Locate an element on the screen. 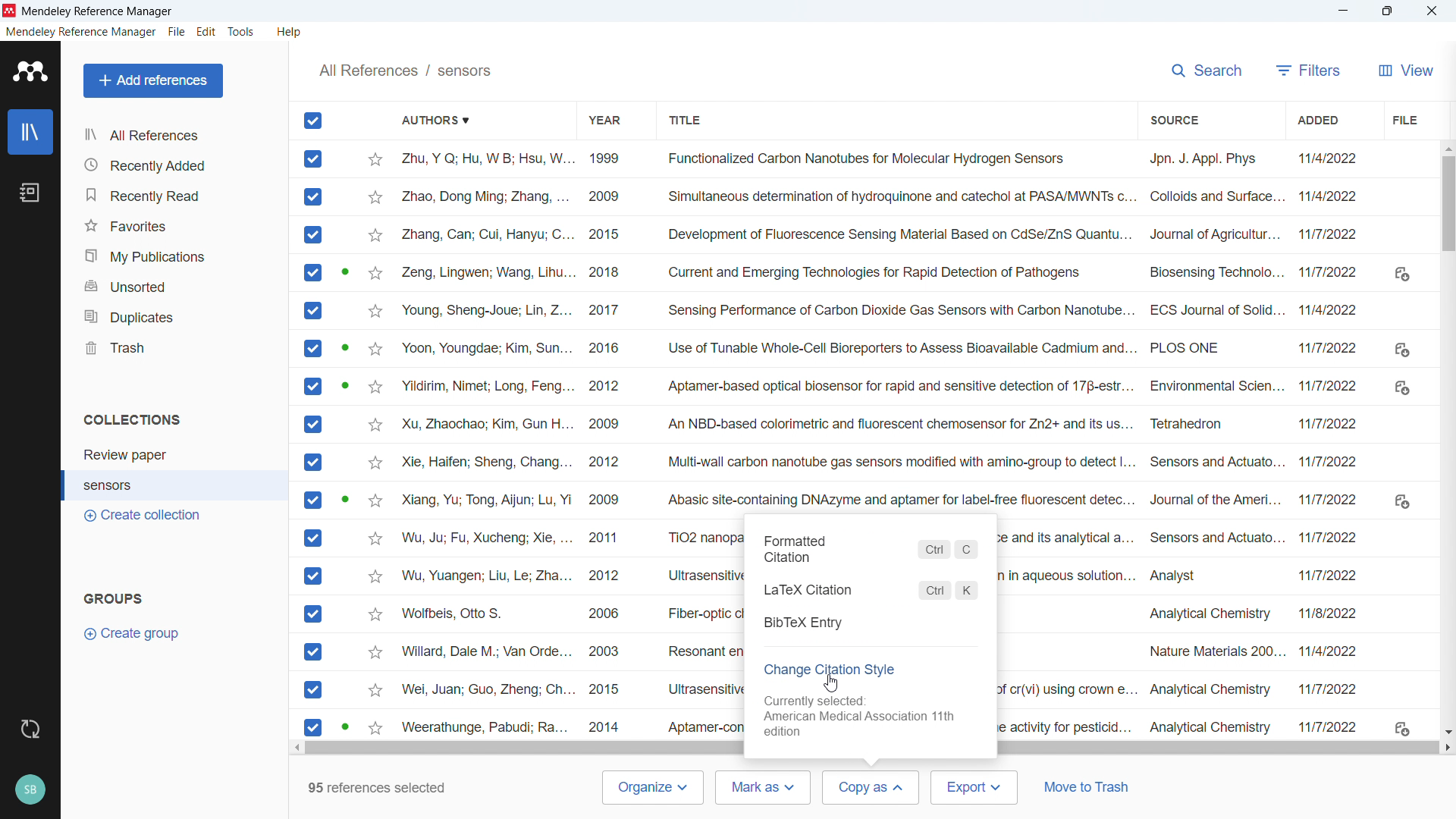 This screenshot has width=1456, height=819. Year of publication of individual entries  is located at coordinates (604, 442).